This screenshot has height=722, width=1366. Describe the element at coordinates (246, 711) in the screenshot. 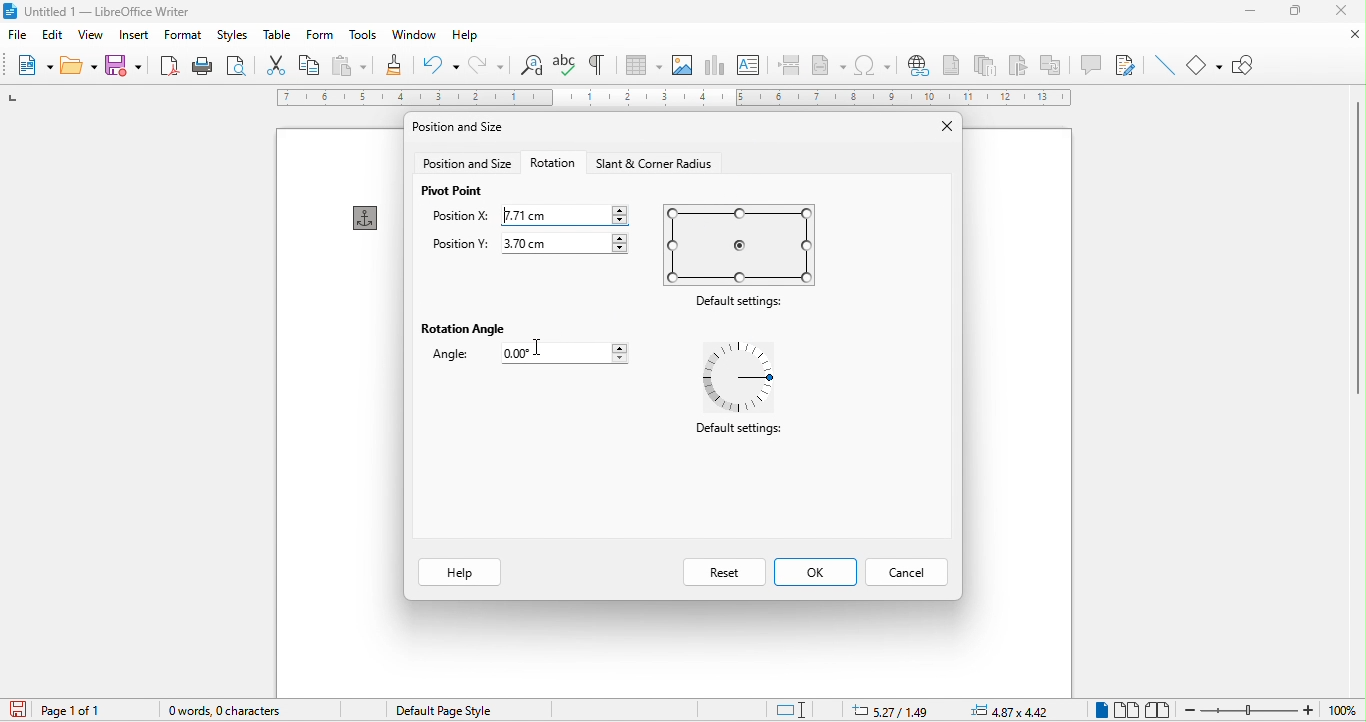

I see `0 words, o character` at that location.